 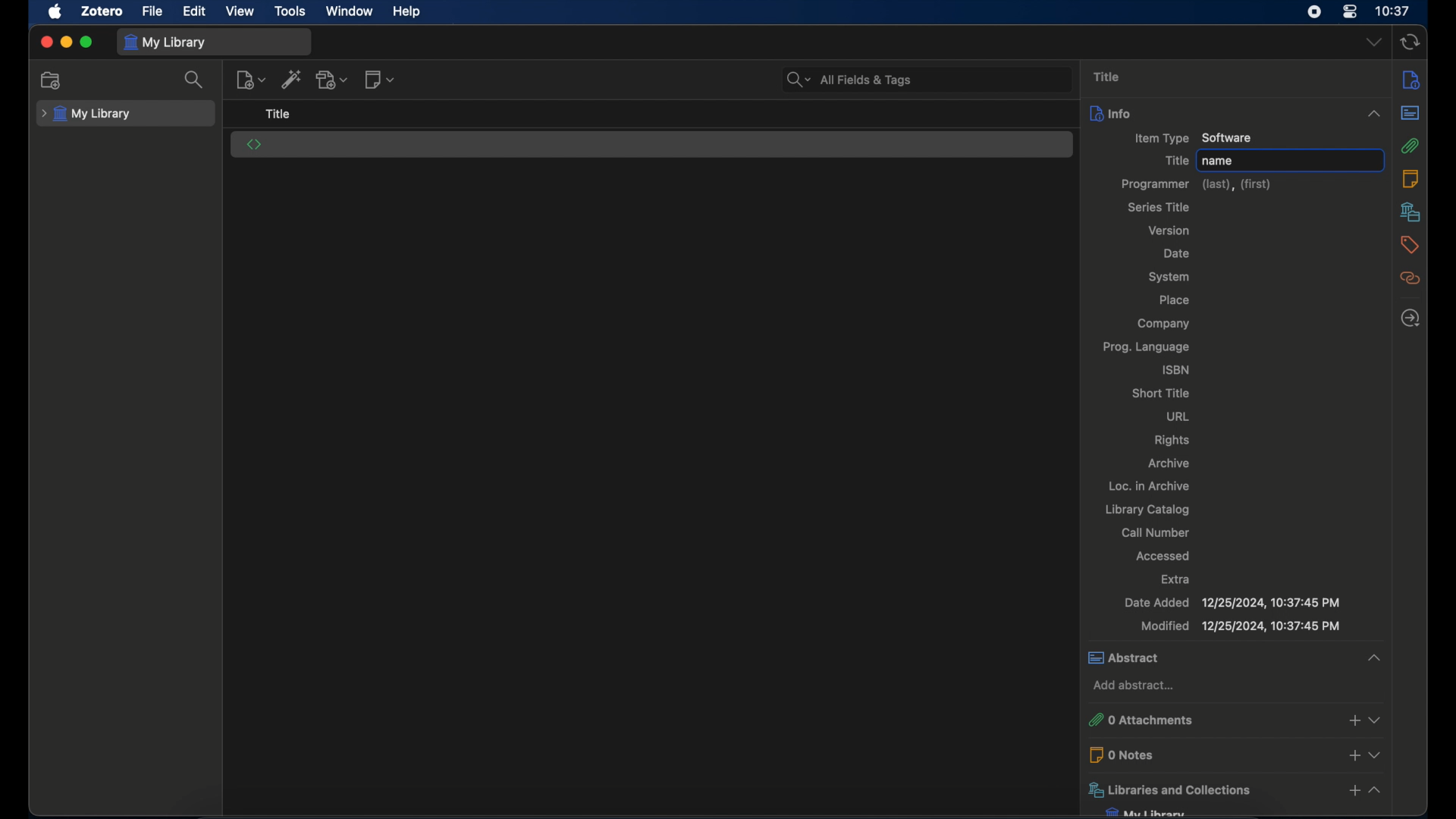 What do you see at coordinates (1171, 276) in the screenshot?
I see `system` at bounding box center [1171, 276].